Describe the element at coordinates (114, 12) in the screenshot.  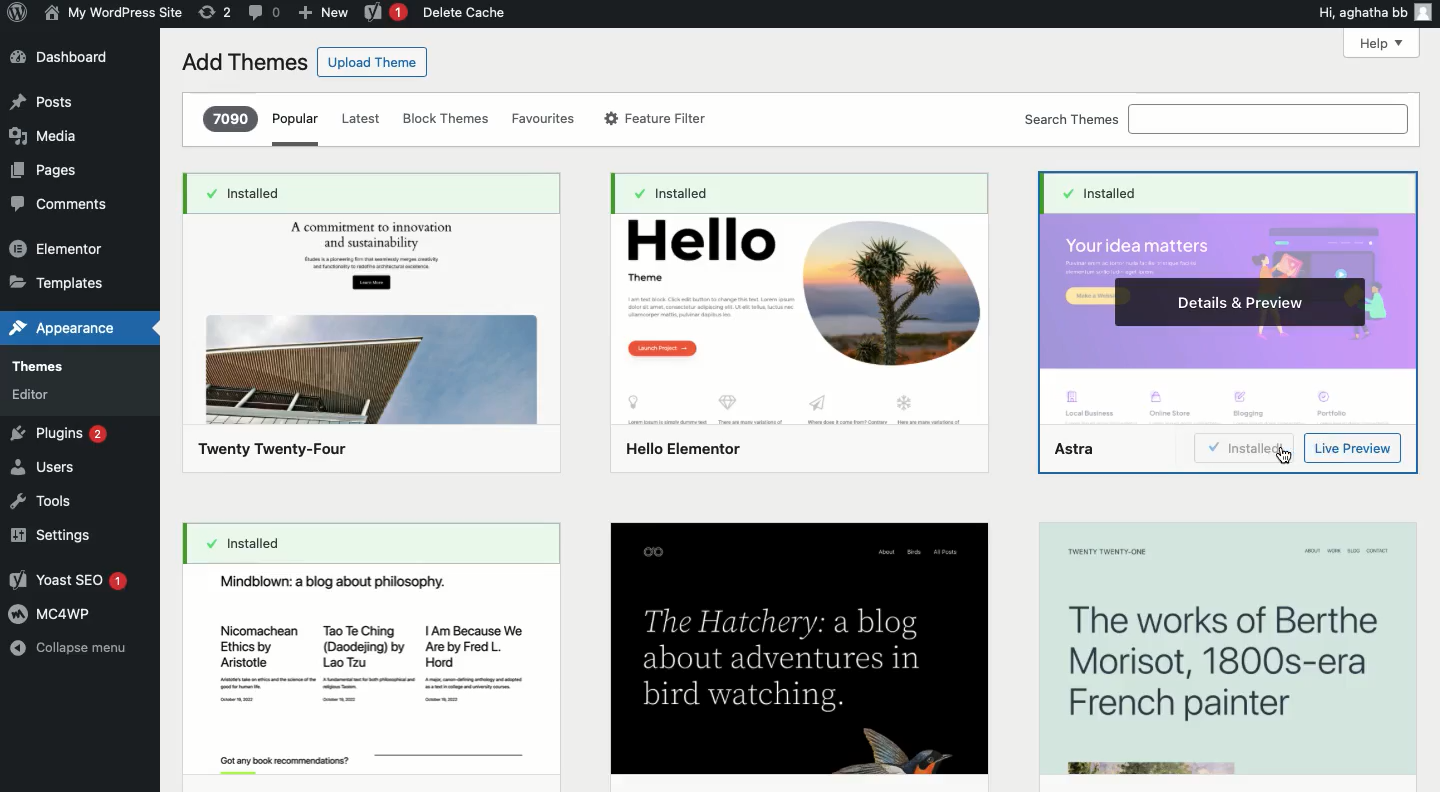
I see `Name` at that location.